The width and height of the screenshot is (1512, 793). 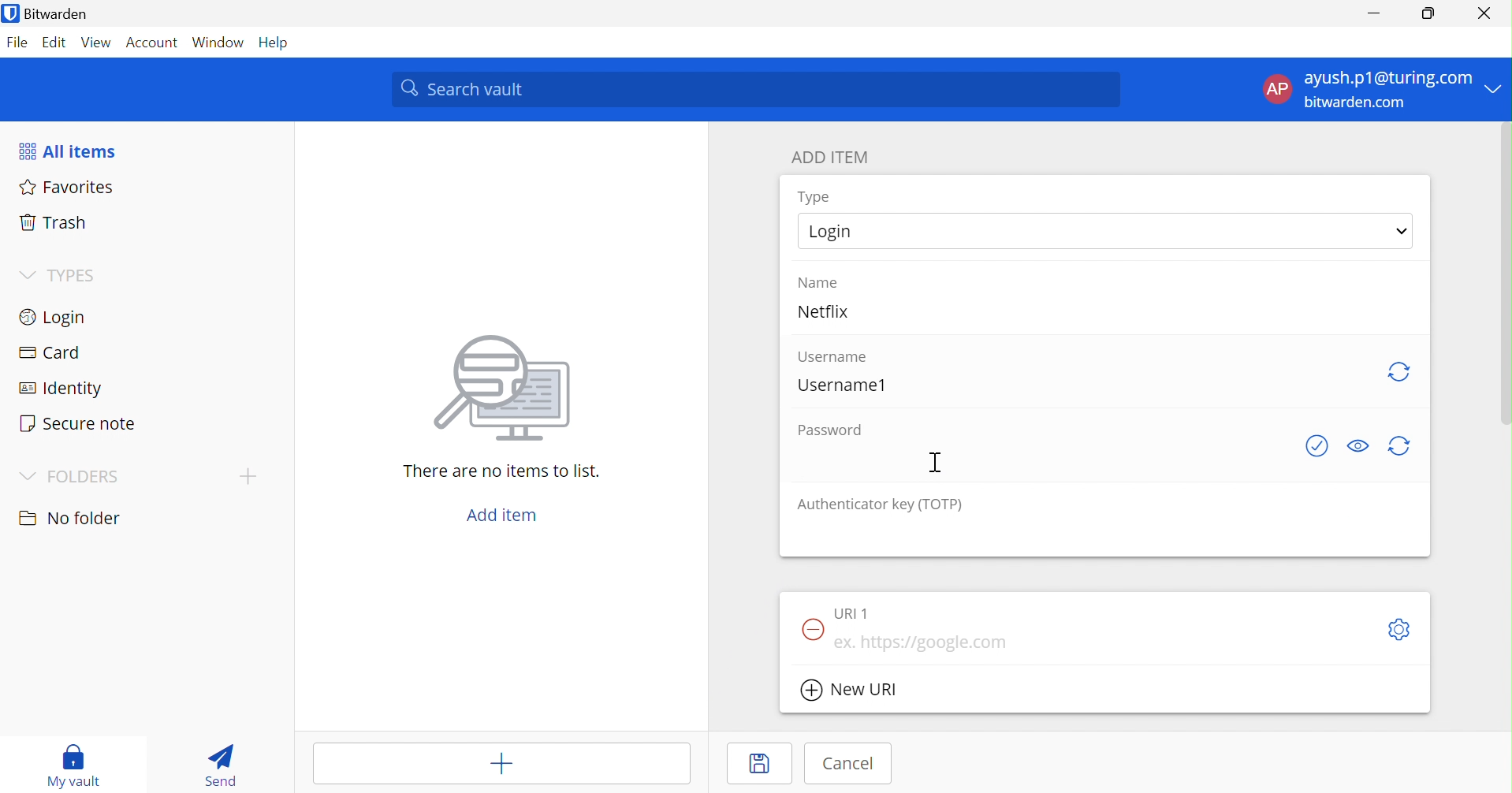 What do you see at coordinates (220, 768) in the screenshot?
I see `Send` at bounding box center [220, 768].